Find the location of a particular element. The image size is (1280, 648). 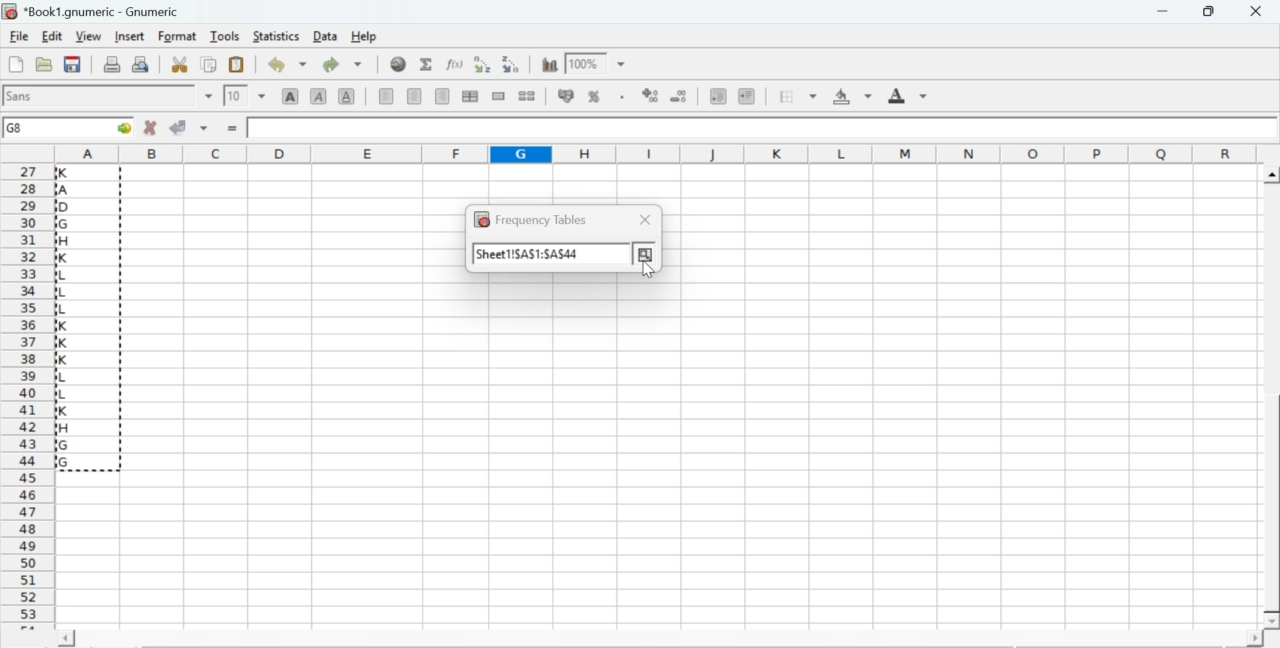

redo is located at coordinates (342, 64).